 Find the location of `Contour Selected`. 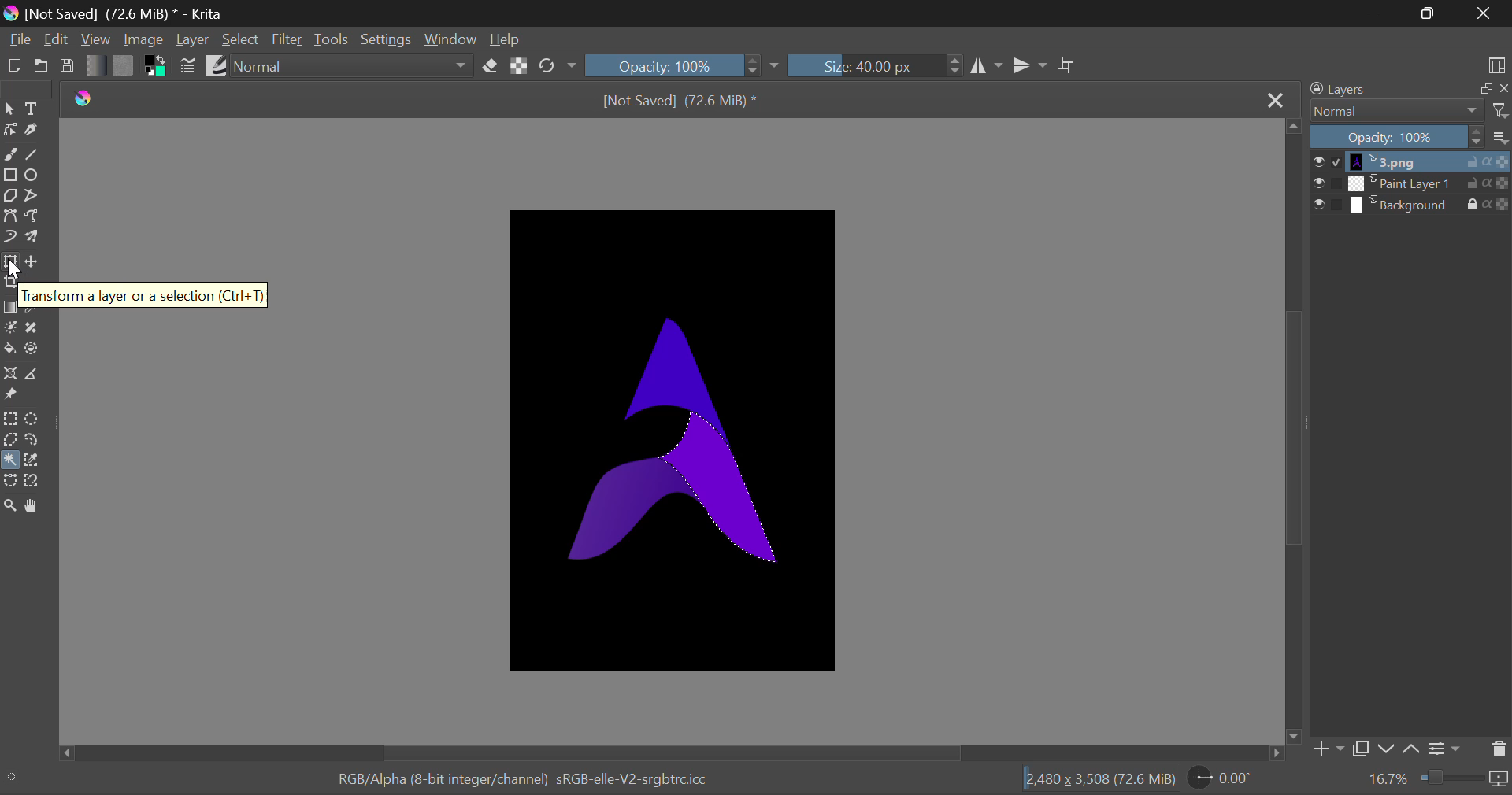

Contour Selected is located at coordinates (713, 480).